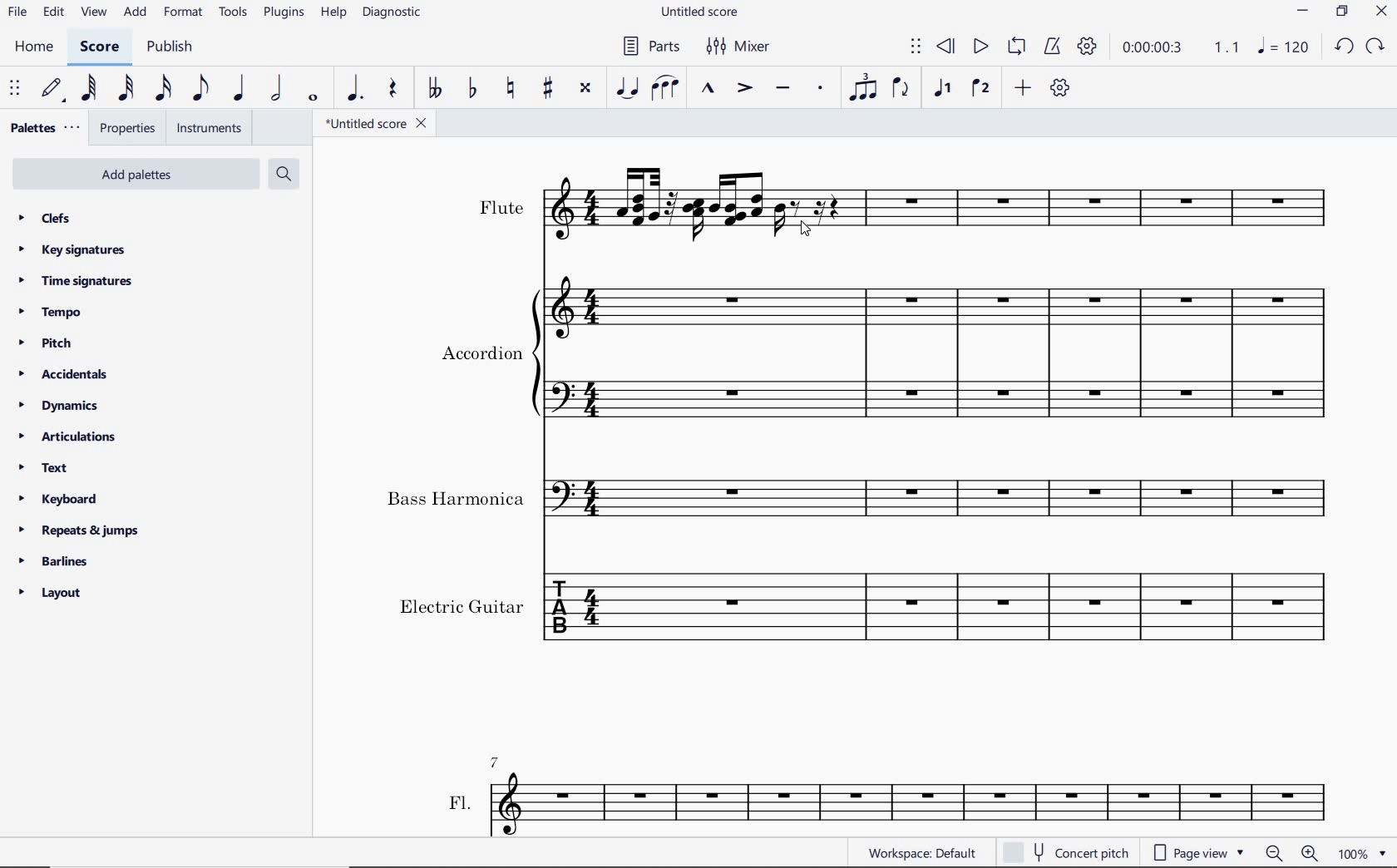 This screenshot has height=868, width=1397. What do you see at coordinates (284, 173) in the screenshot?
I see `search palettes` at bounding box center [284, 173].